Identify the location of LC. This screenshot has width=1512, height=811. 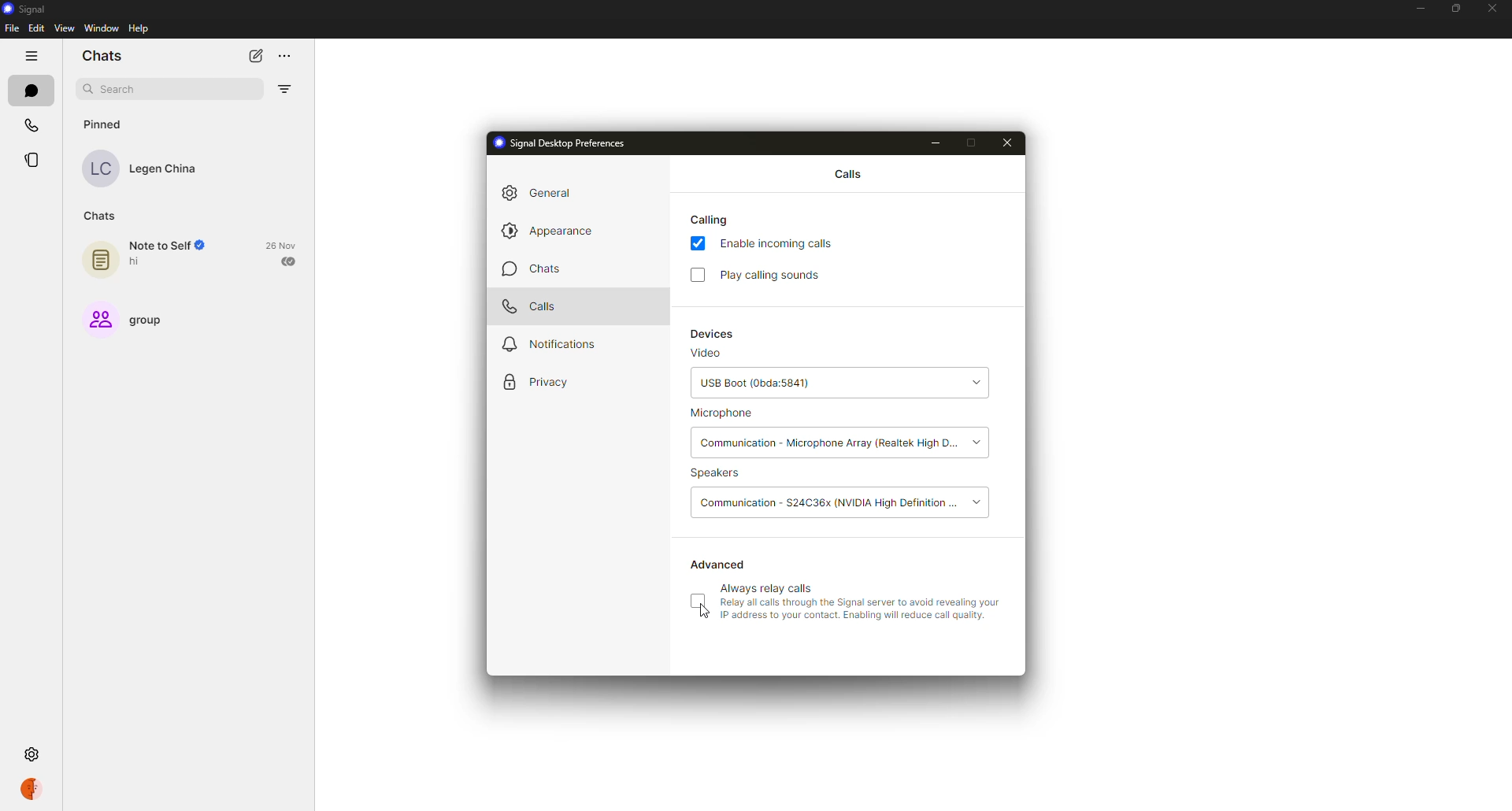
(102, 169).